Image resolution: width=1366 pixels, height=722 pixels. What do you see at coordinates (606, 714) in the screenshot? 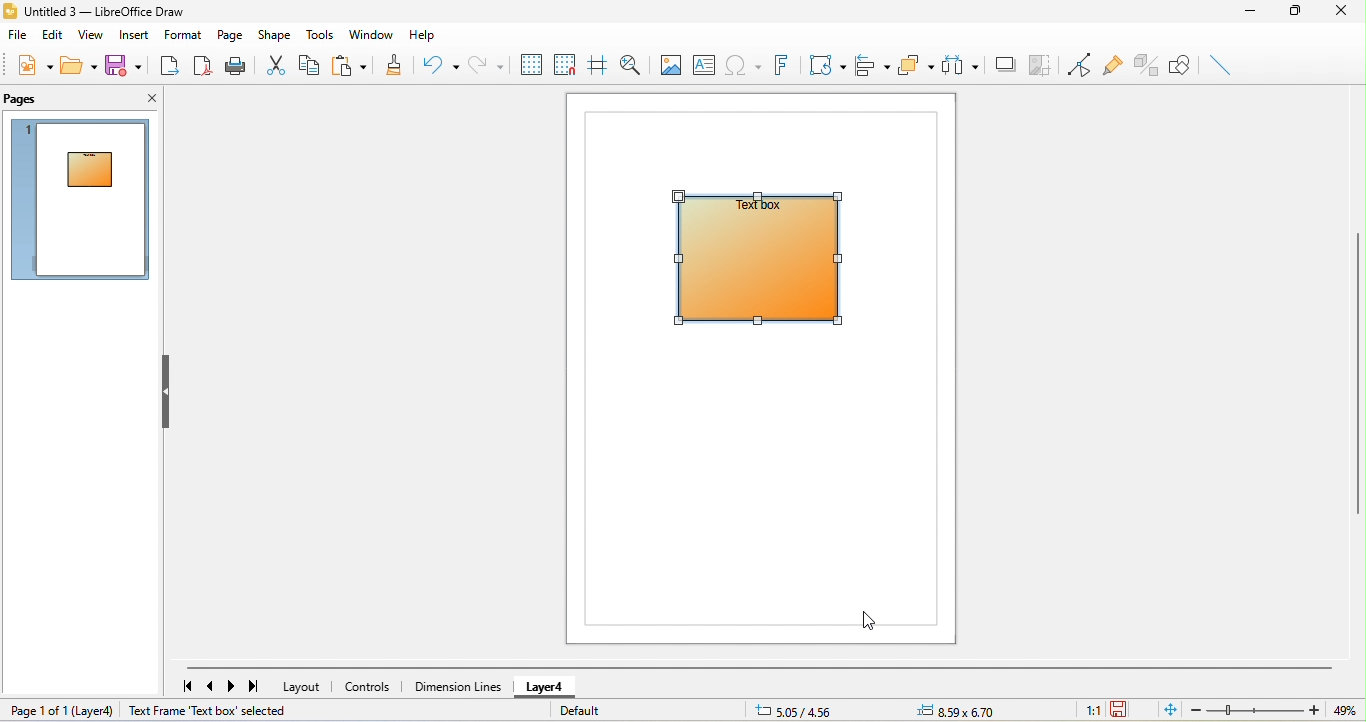
I see `default` at bounding box center [606, 714].